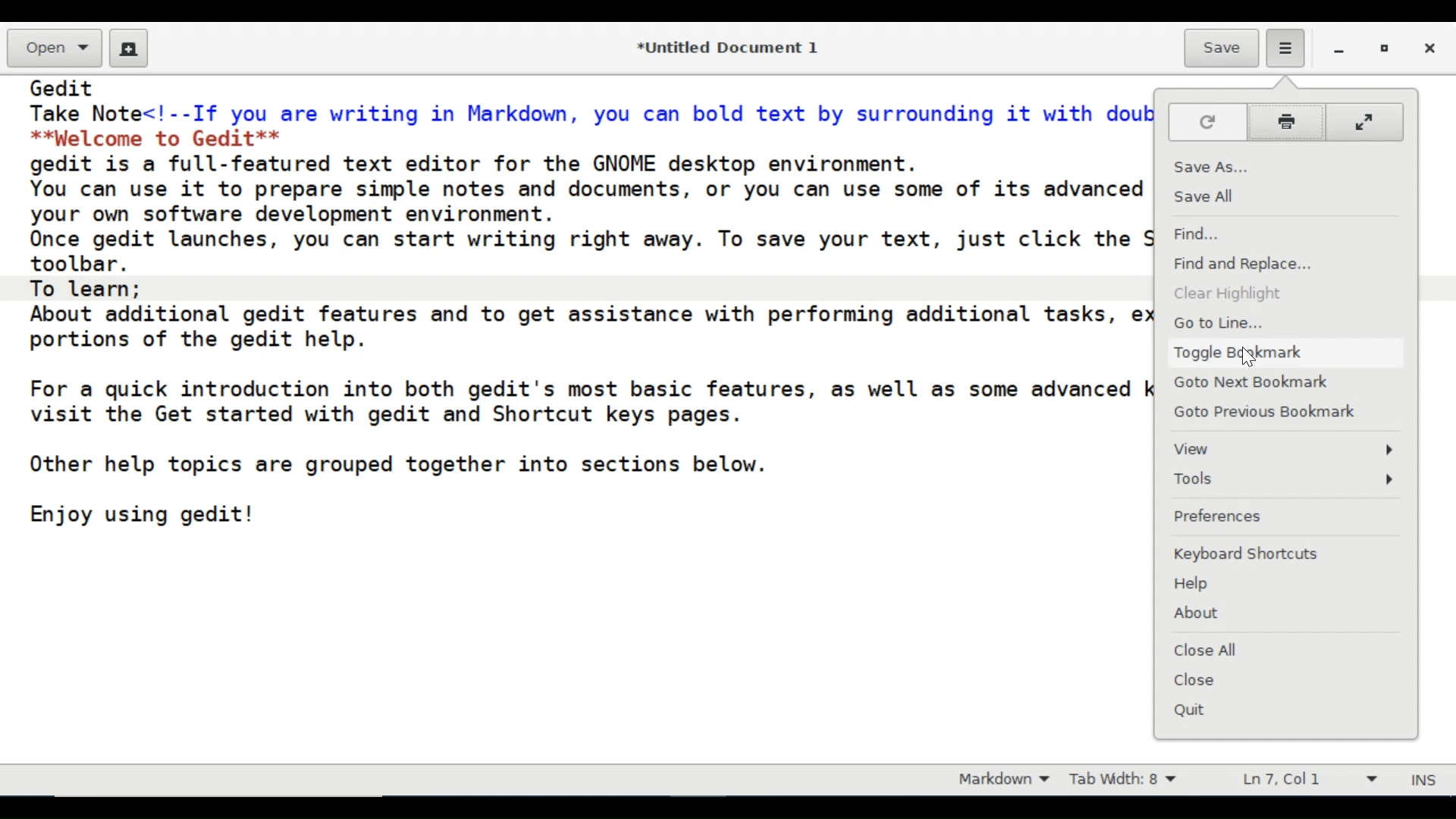 This screenshot has width=1456, height=819. What do you see at coordinates (1210, 168) in the screenshot?
I see `Save As` at bounding box center [1210, 168].